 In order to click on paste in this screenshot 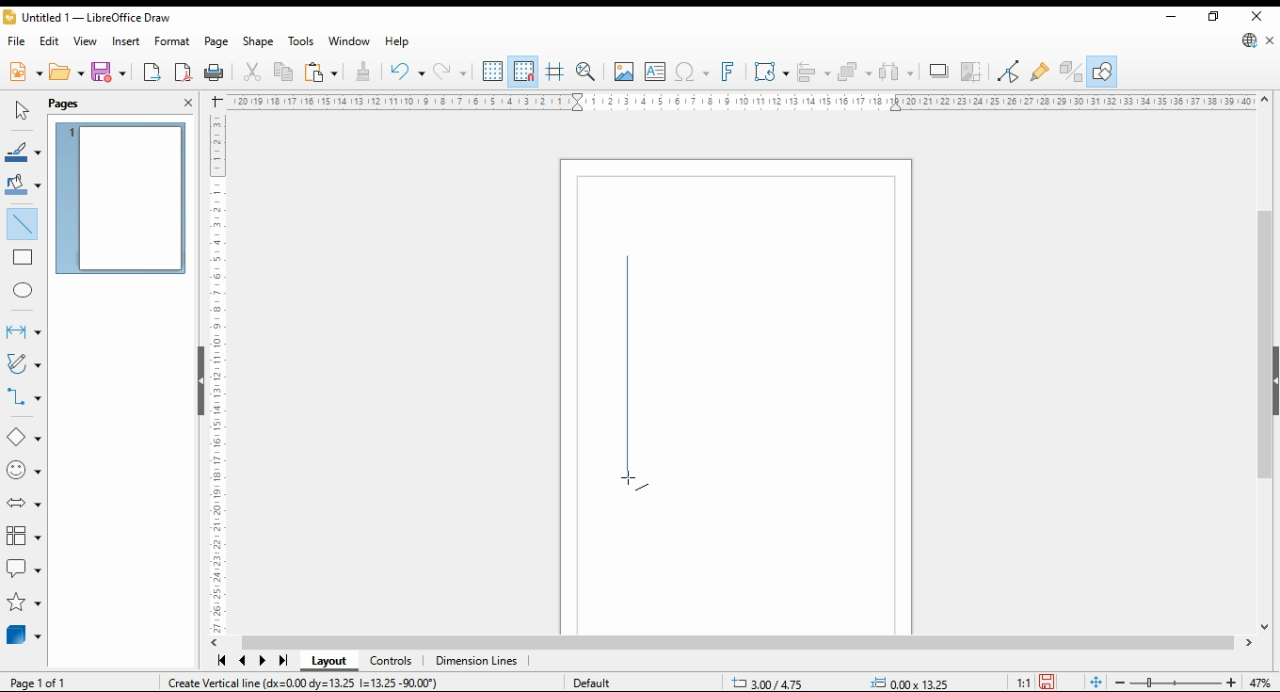, I will do `click(319, 72)`.